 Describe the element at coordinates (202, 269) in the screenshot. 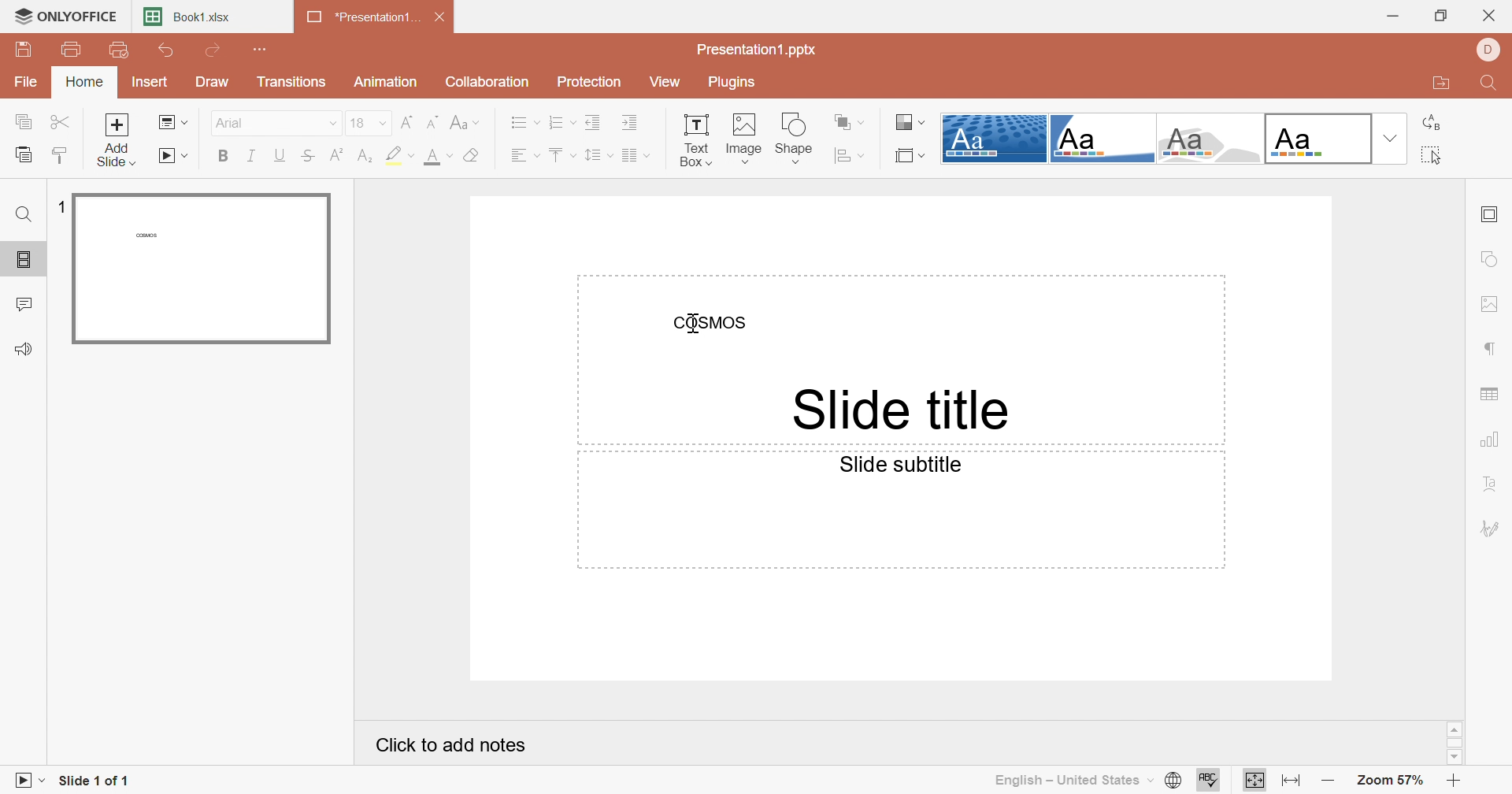

I see `Slide` at that location.